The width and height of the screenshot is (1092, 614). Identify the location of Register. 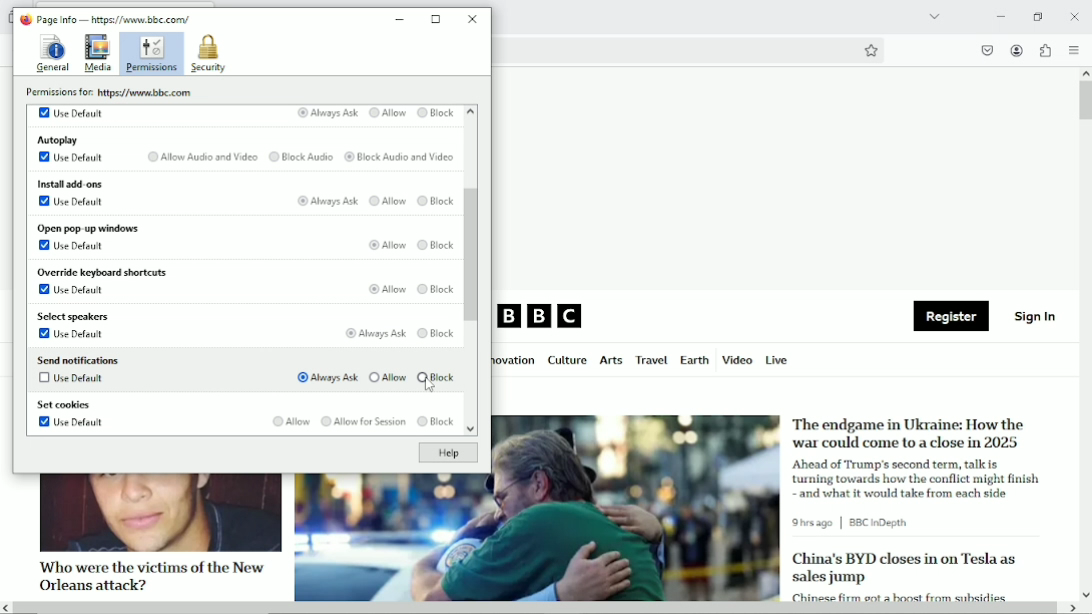
(951, 317).